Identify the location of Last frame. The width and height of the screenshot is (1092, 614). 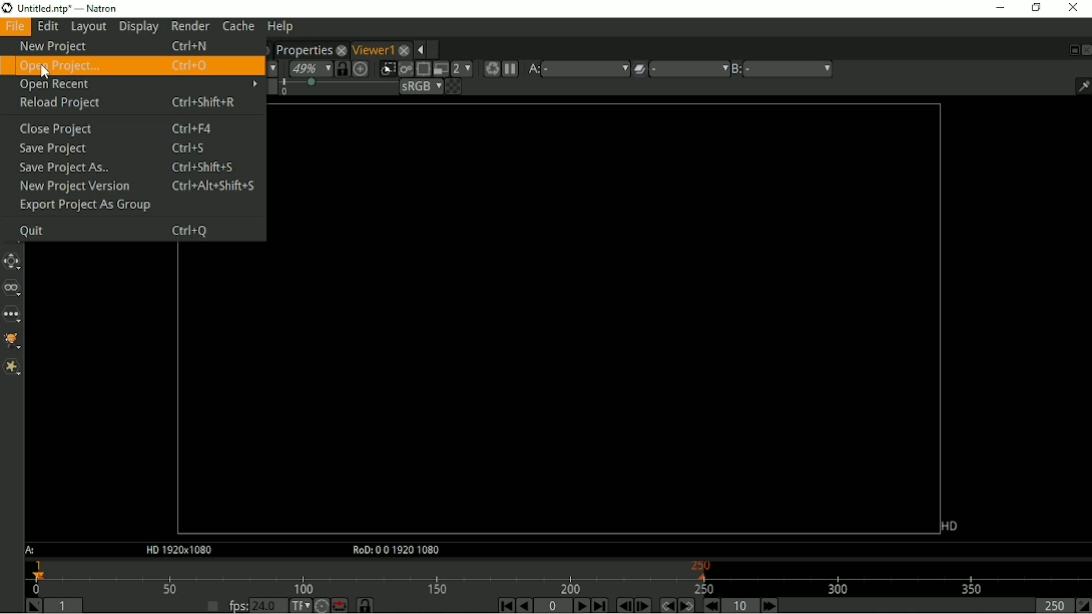
(599, 605).